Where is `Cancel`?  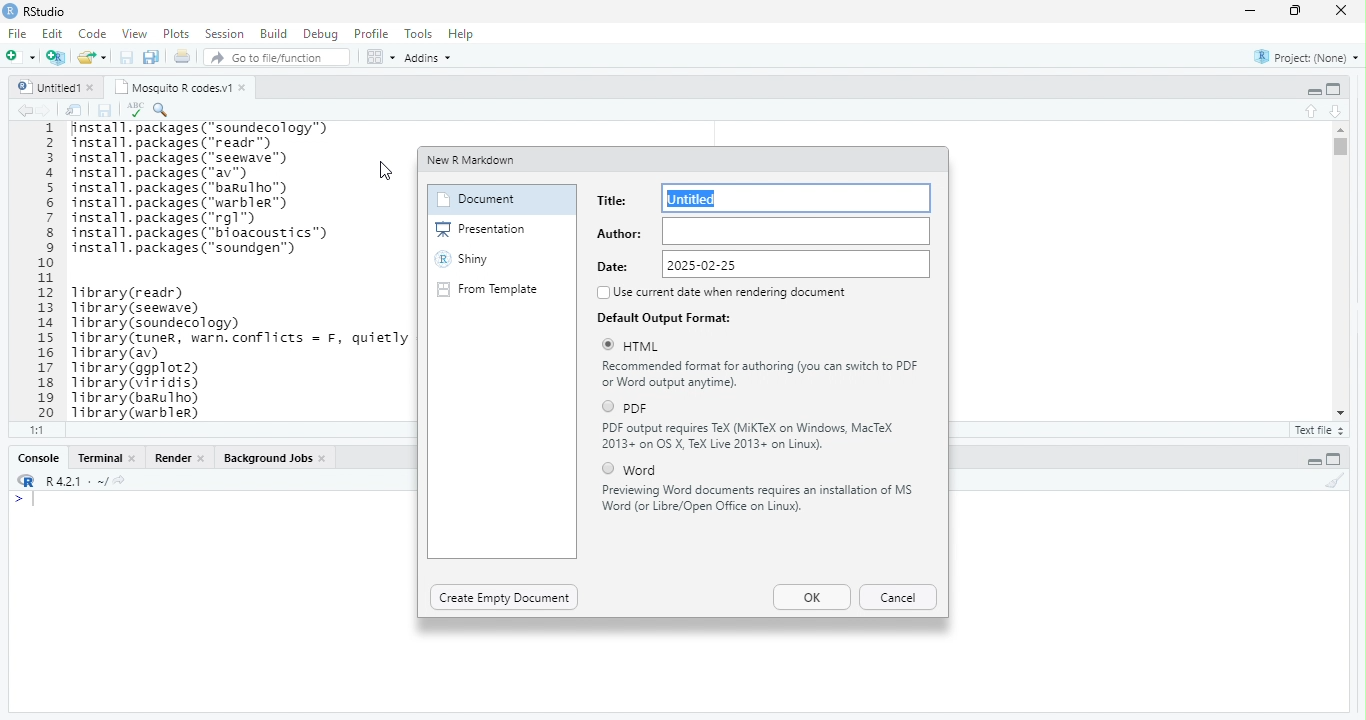
Cancel is located at coordinates (898, 597).